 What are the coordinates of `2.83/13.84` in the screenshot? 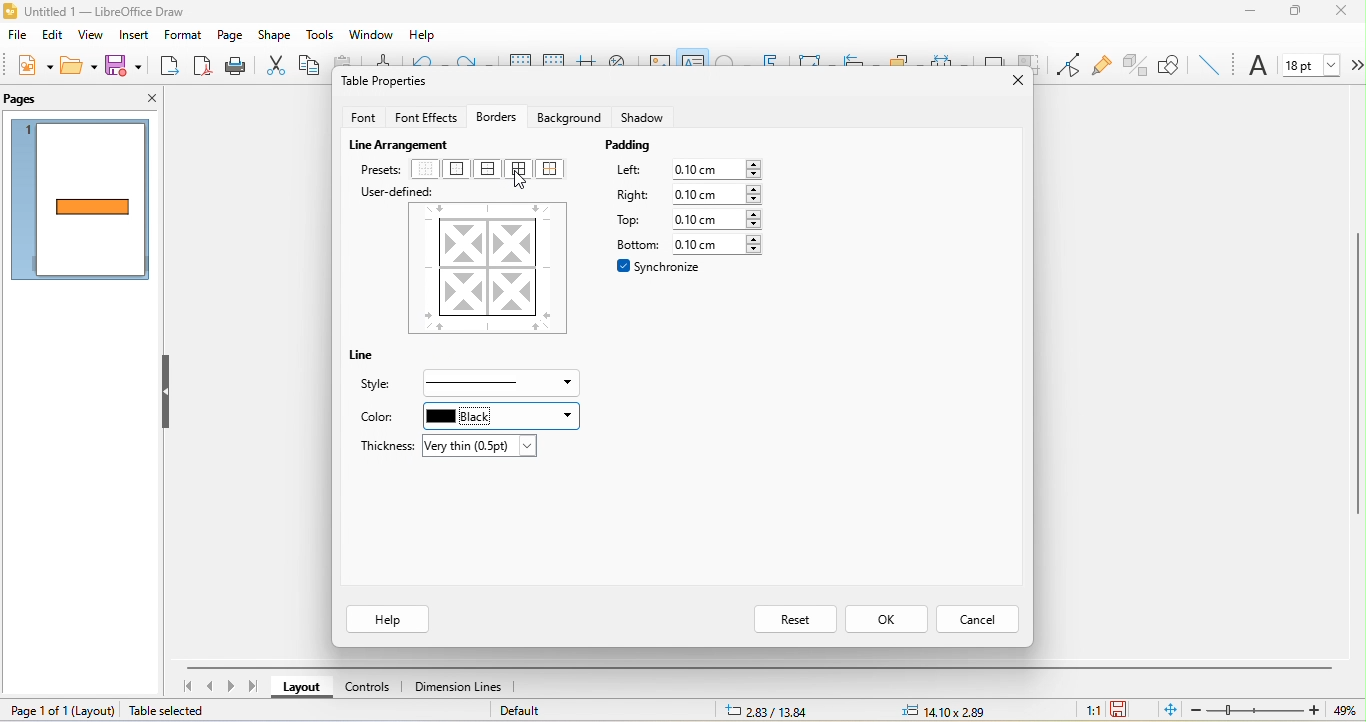 It's located at (770, 711).